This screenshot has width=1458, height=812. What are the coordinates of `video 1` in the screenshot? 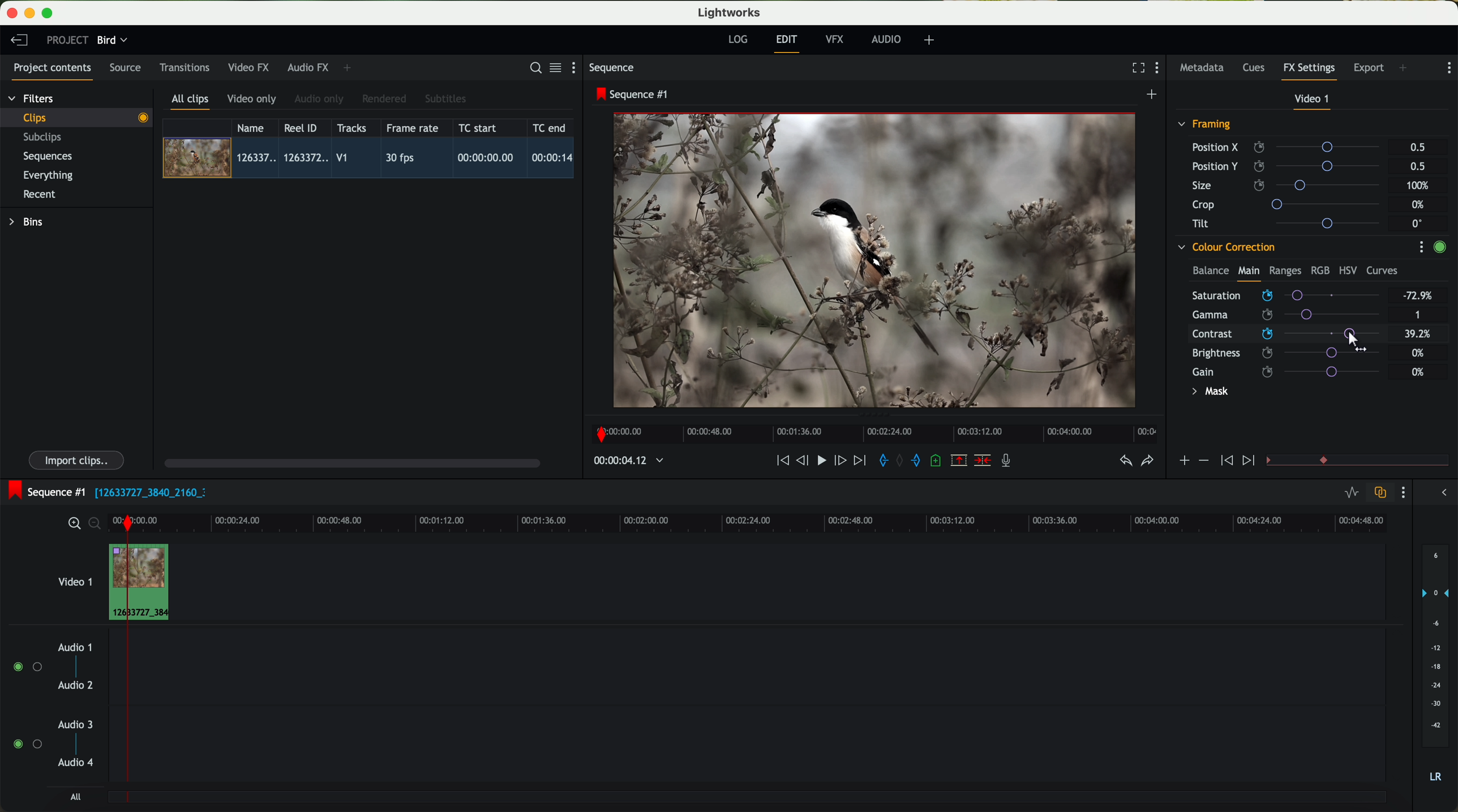 It's located at (74, 579).